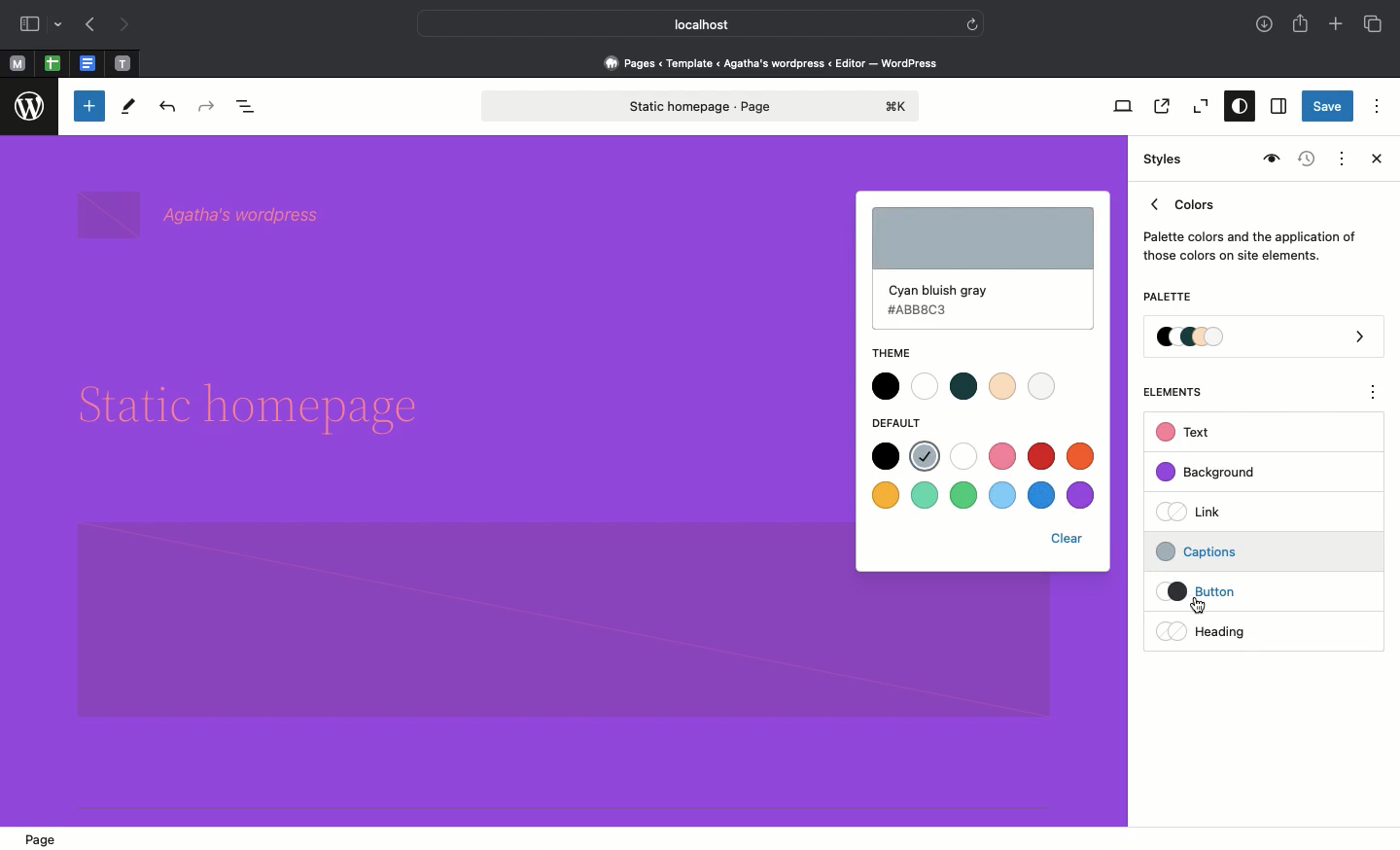  Describe the element at coordinates (962, 385) in the screenshot. I see `Theme color` at that location.